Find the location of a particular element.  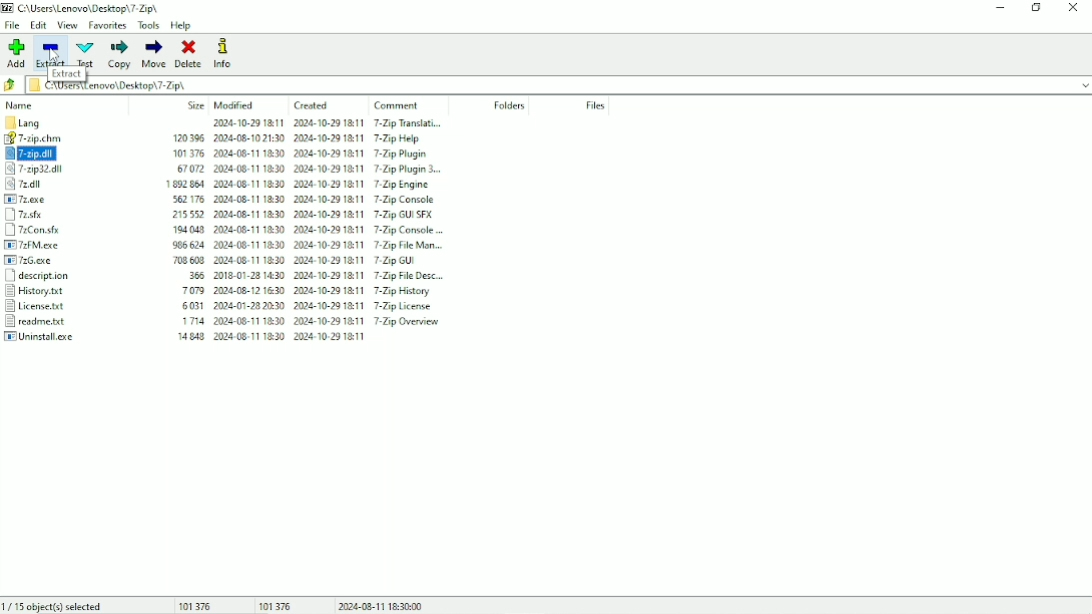

6031 2004-07-2220:30 2004-10-291211 7-Zip License is located at coordinates (310, 308).